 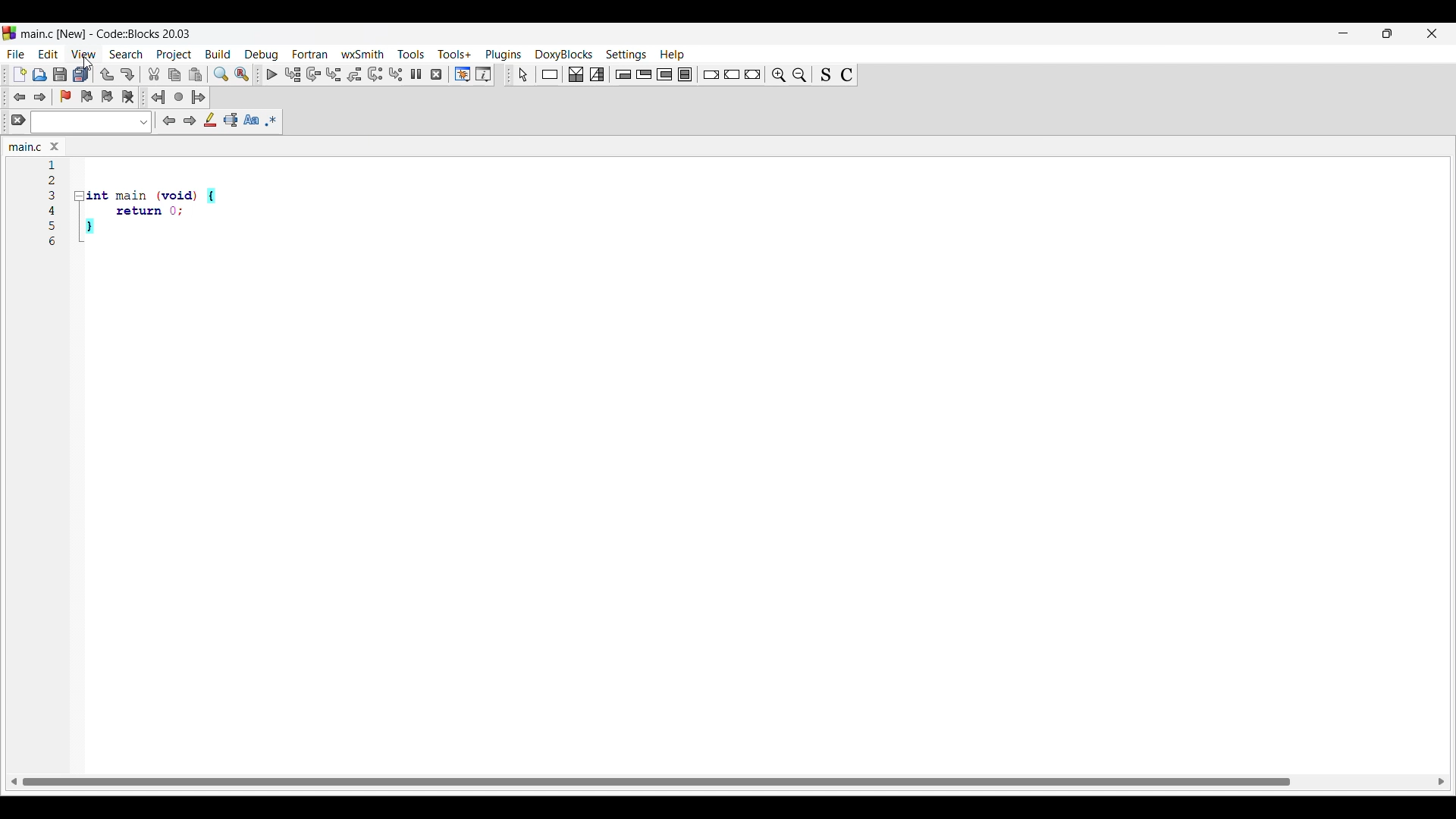 I want to click on Decision, so click(x=576, y=74).